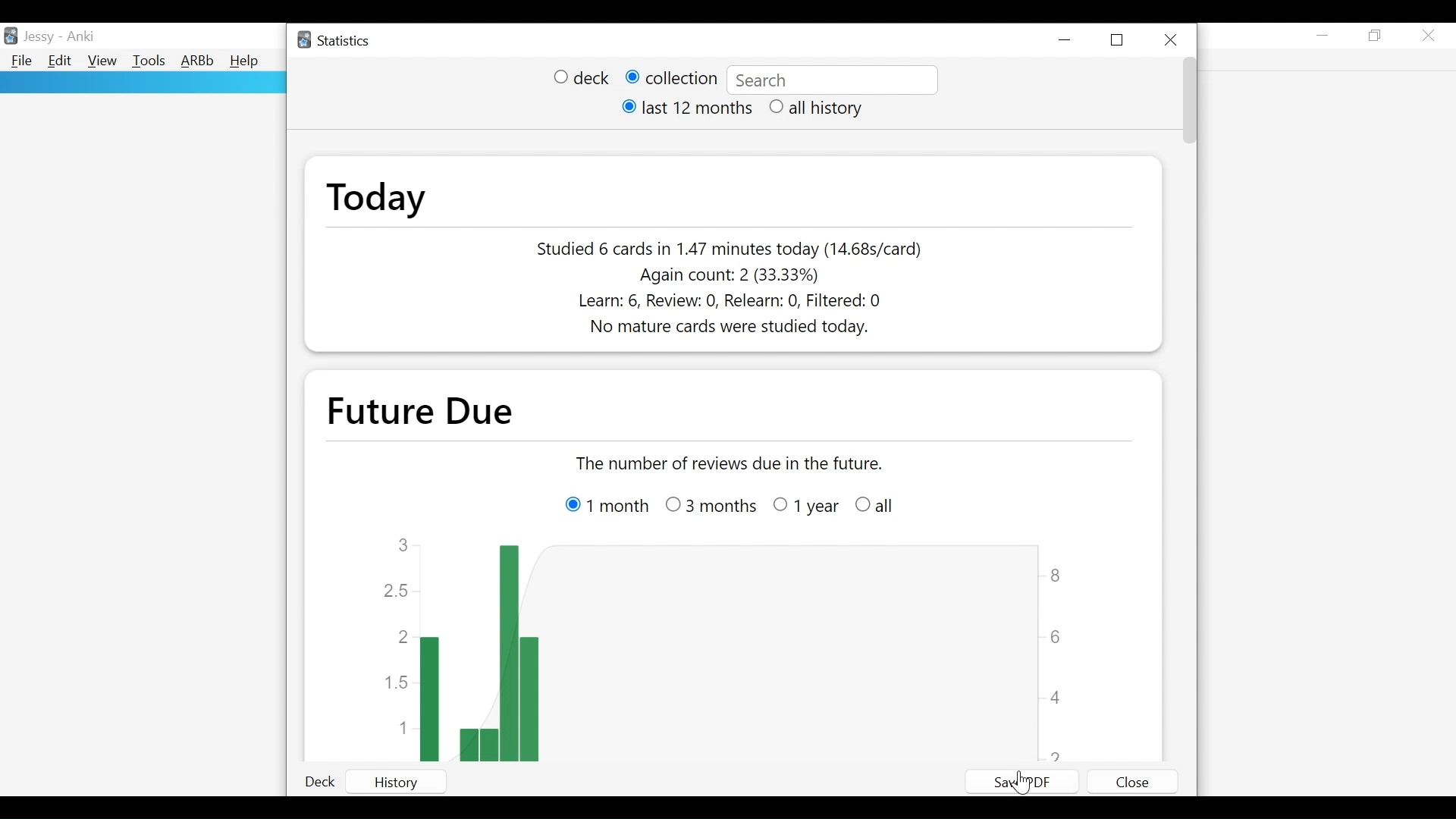  Describe the element at coordinates (20, 61) in the screenshot. I see `File` at that location.